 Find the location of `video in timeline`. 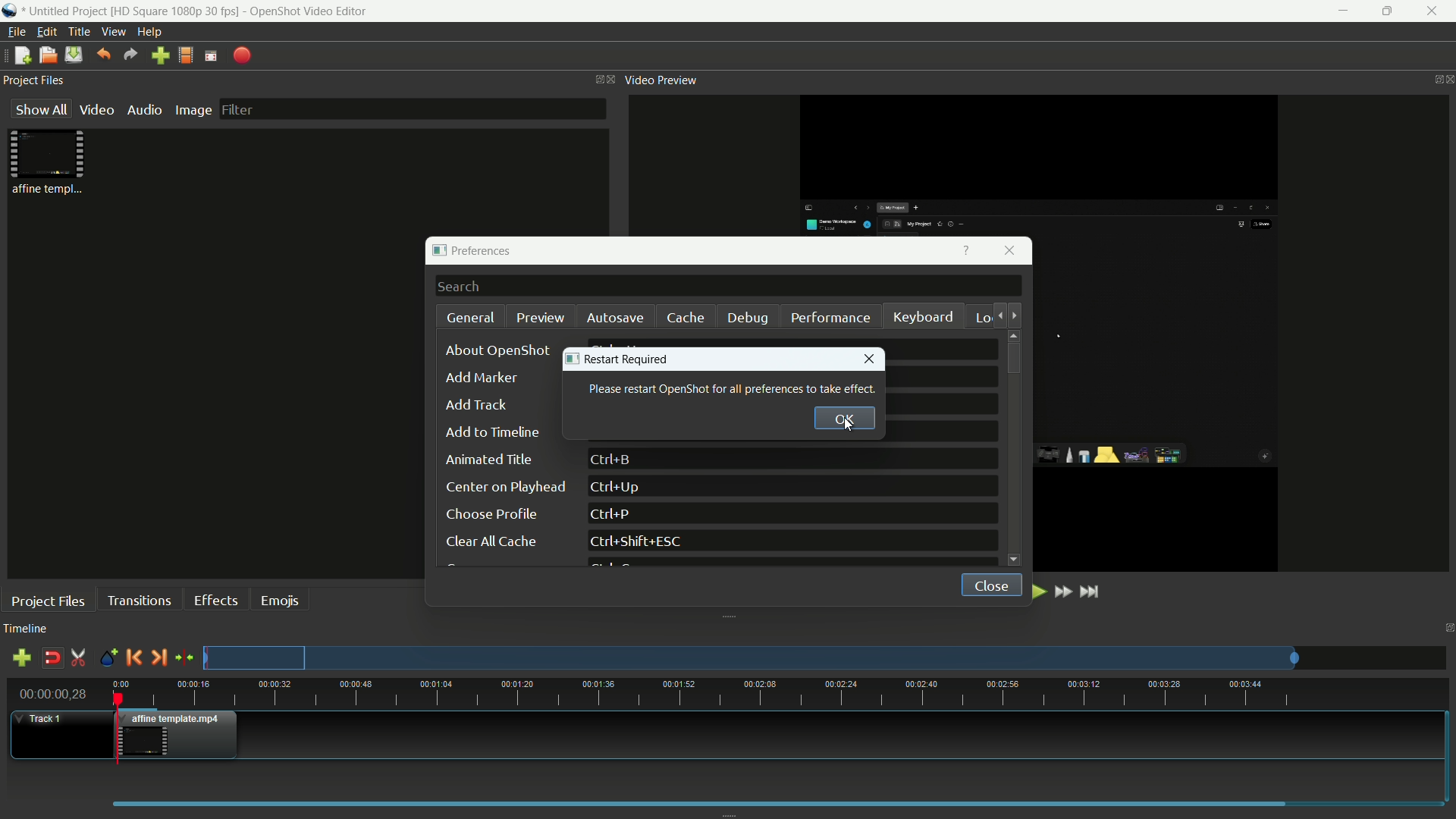

video in timeline is located at coordinates (180, 735).